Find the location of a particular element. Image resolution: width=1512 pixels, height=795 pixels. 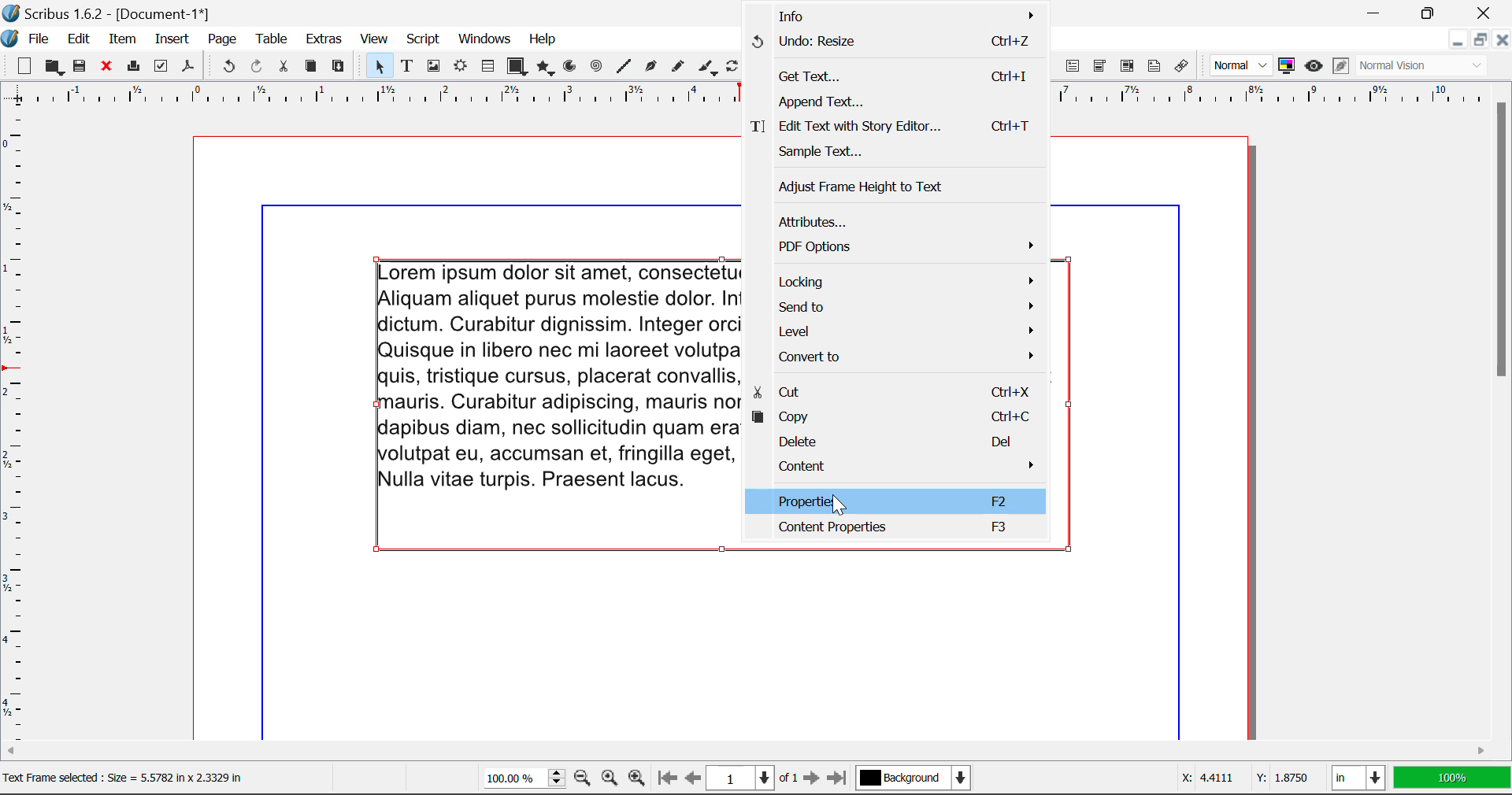

Rotate is located at coordinates (733, 66).